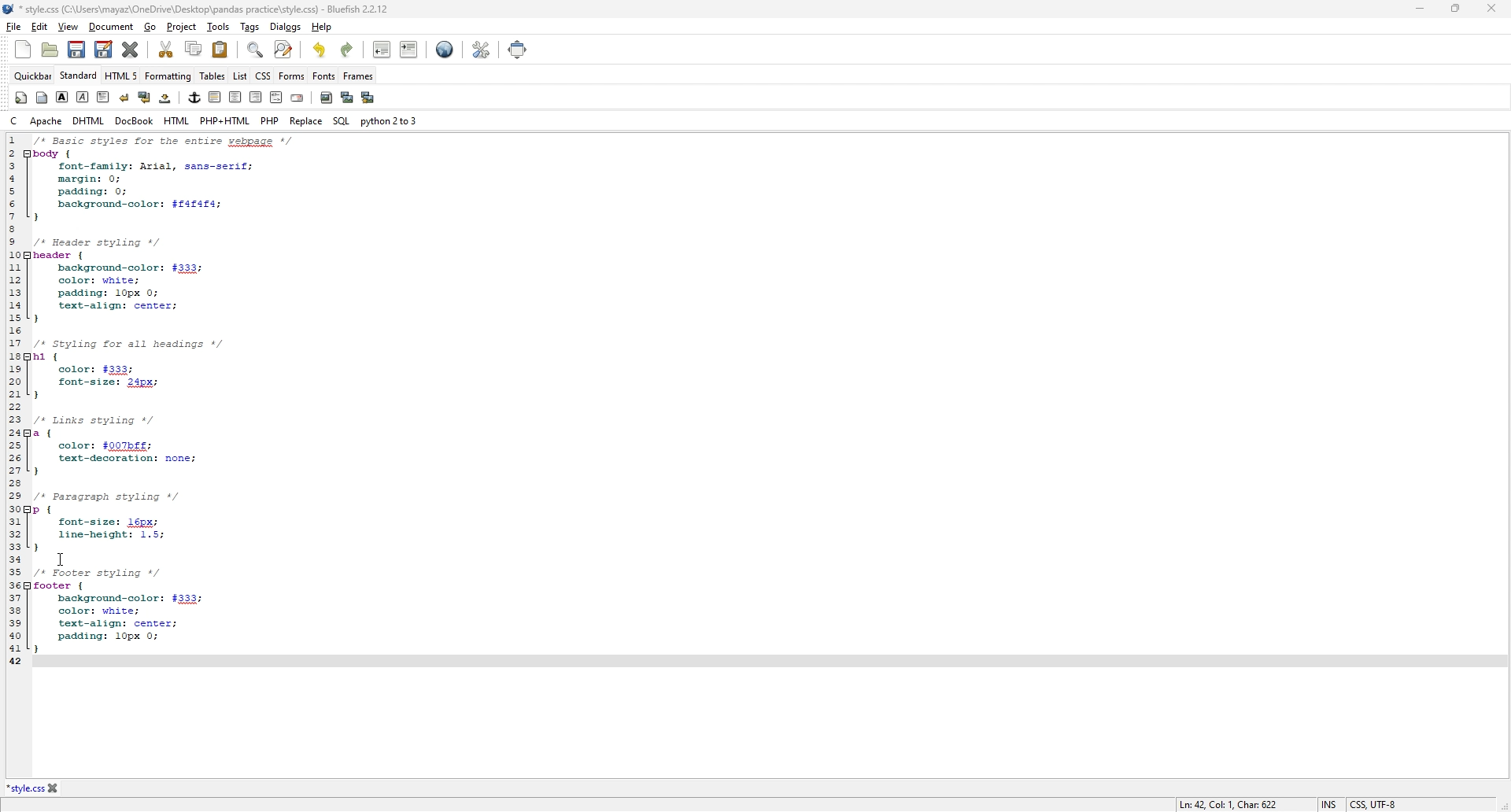  What do you see at coordinates (144, 98) in the screenshot?
I see `break and clear` at bounding box center [144, 98].